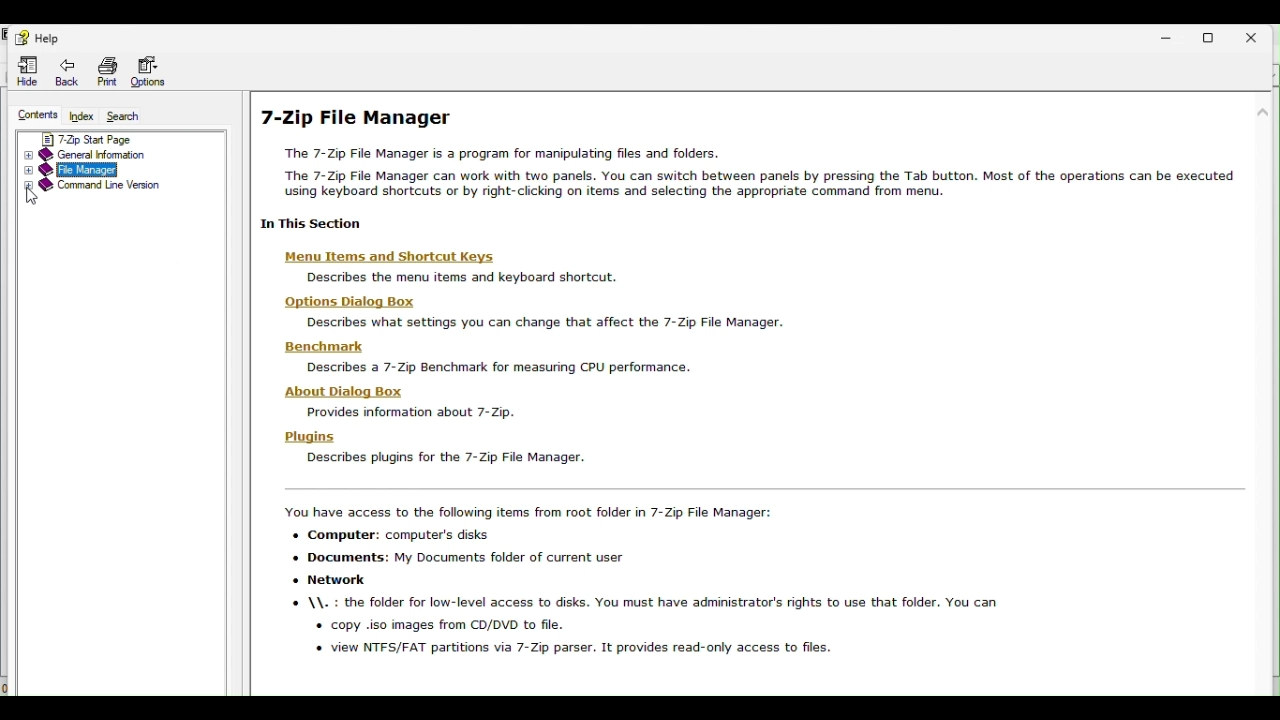 This screenshot has height=720, width=1280. Describe the element at coordinates (81, 118) in the screenshot. I see `Index` at that location.